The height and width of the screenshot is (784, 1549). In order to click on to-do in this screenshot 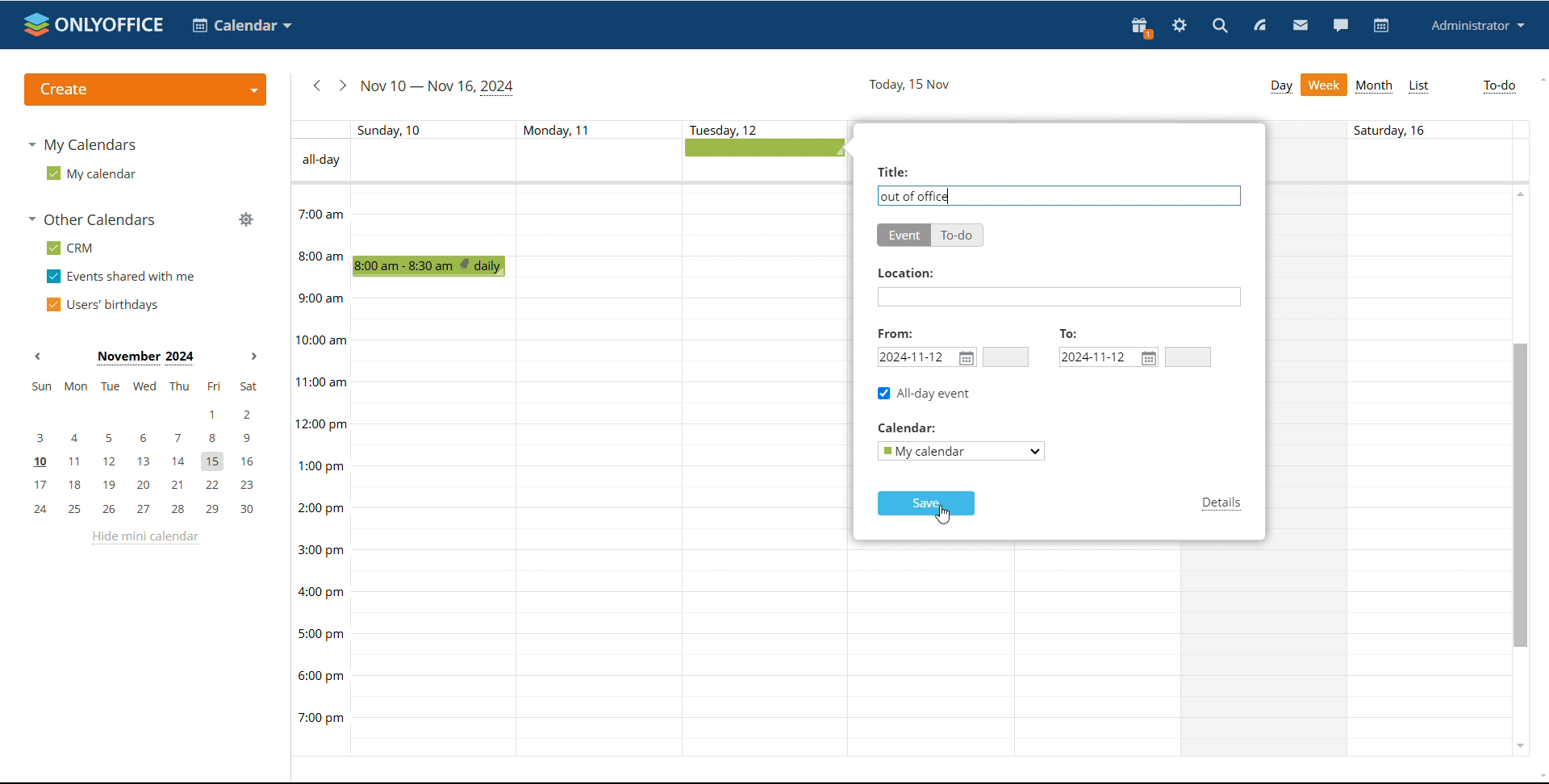, I will do `click(1500, 87)`.